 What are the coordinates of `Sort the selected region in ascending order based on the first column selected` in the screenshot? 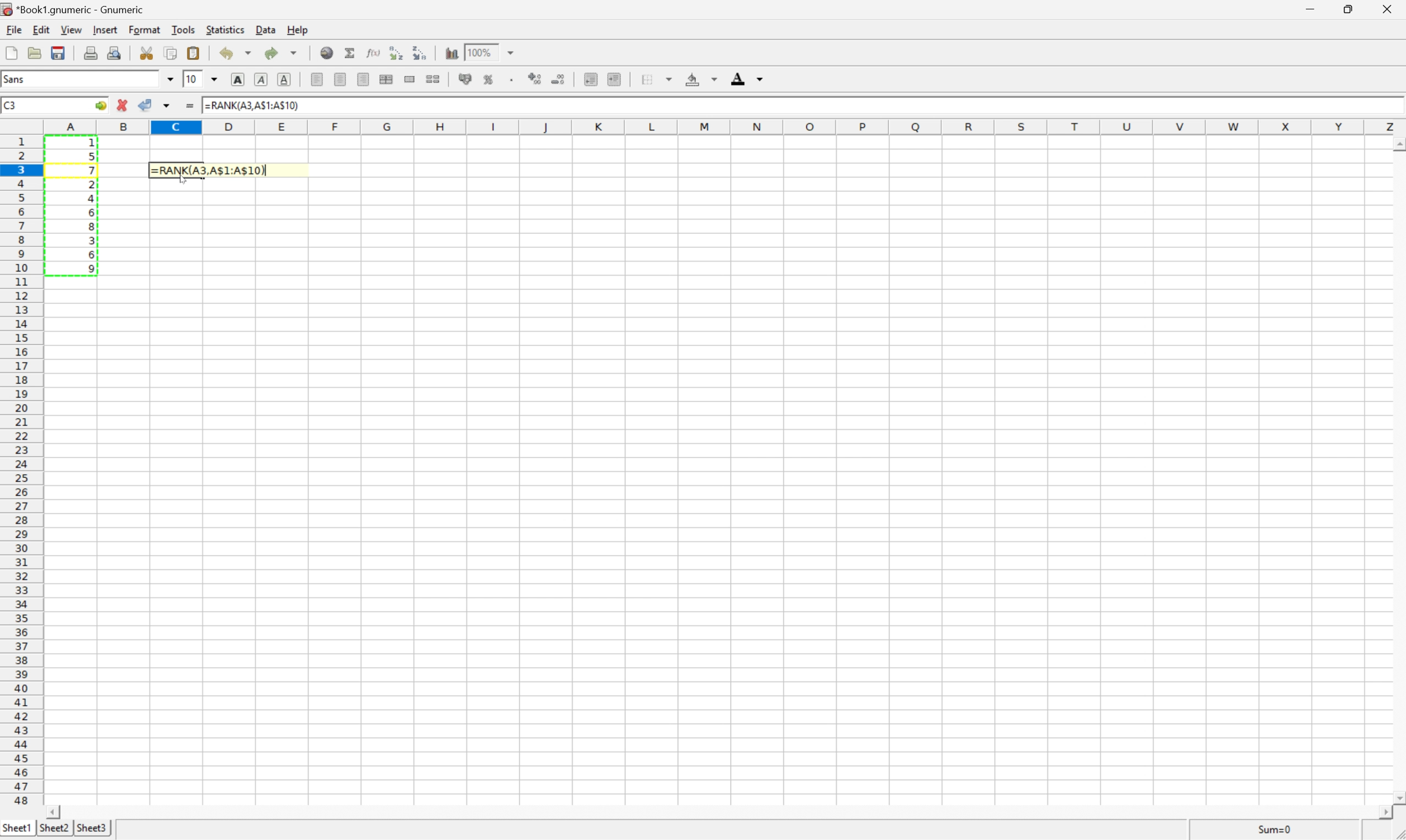 It's located at (396, 53).